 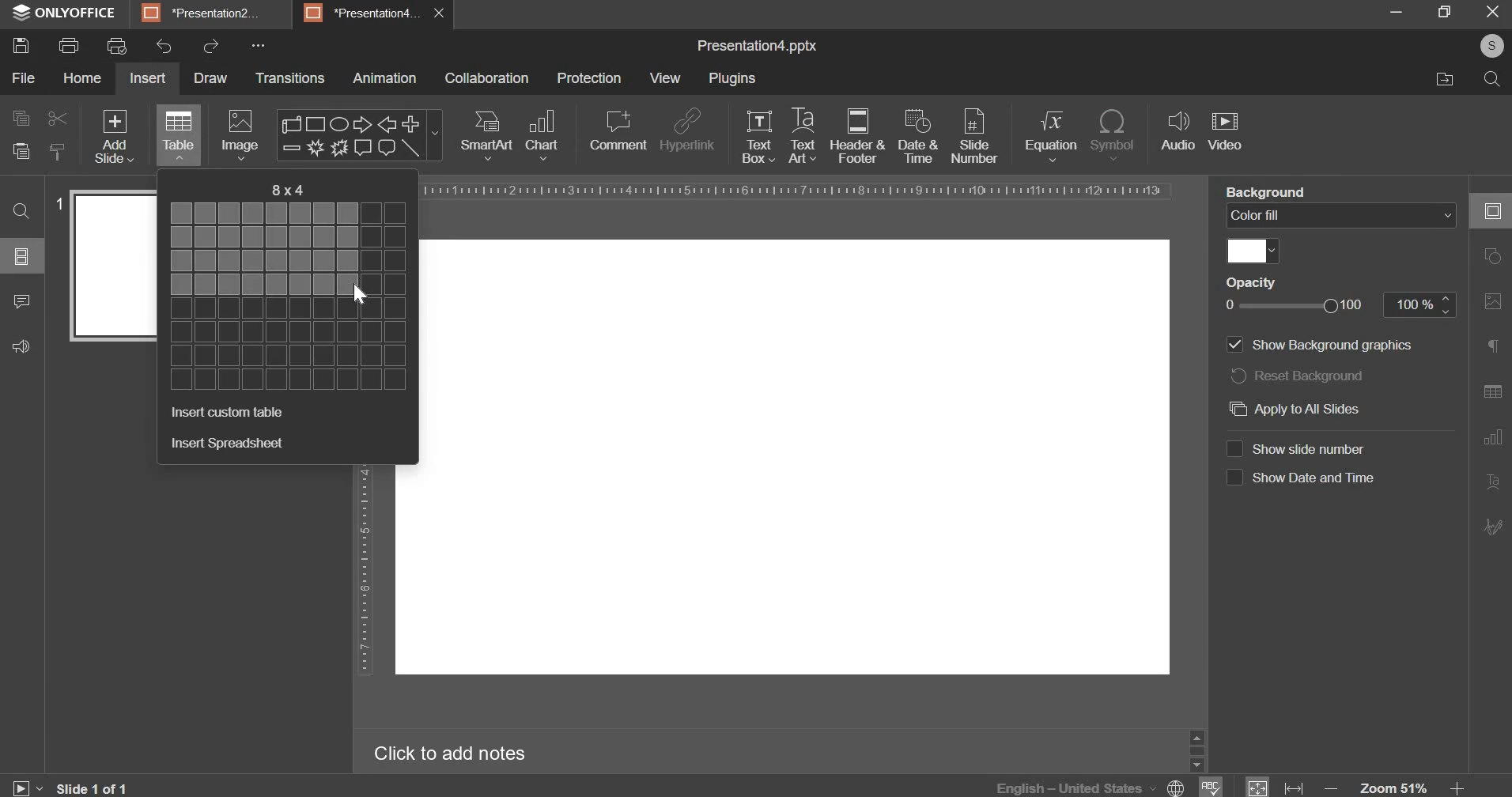 I want to click on more, so click(x=263, y=46).